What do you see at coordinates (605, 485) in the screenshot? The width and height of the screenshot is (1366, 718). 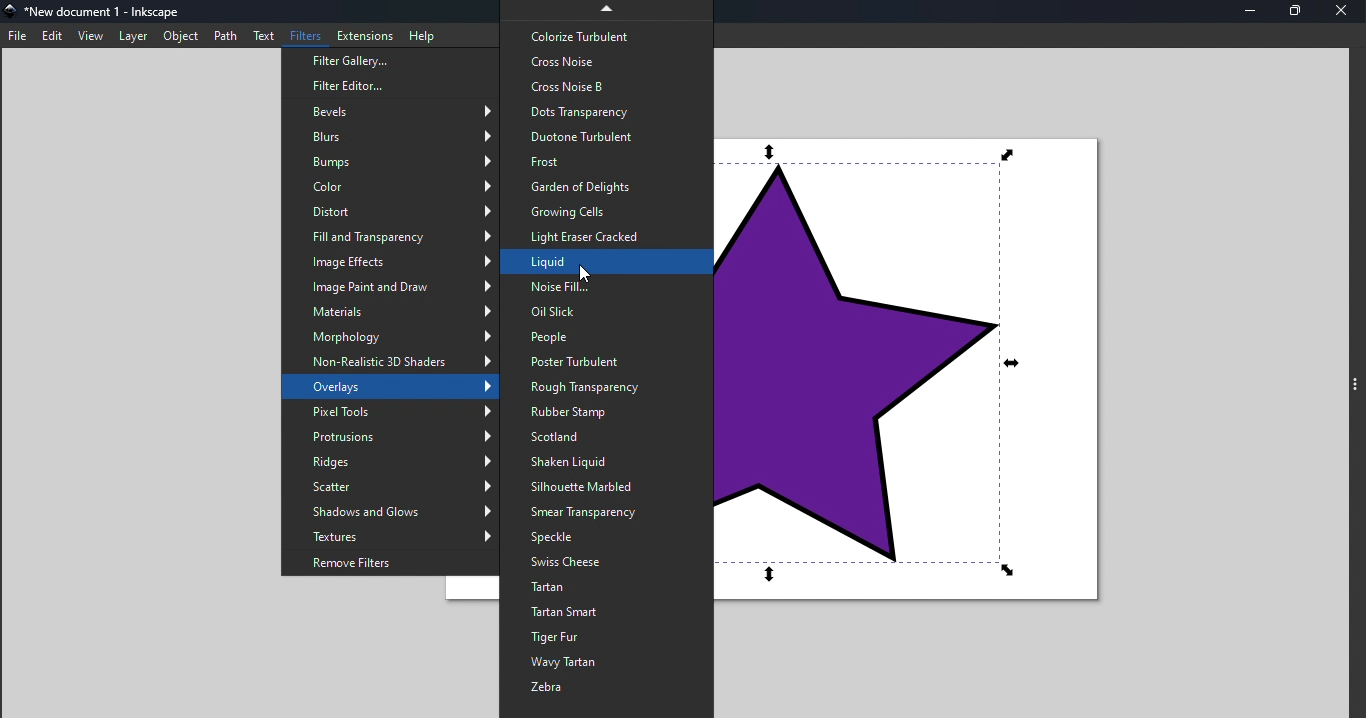 I see `Silhouette Marbled` at bounding box center [605, 485].